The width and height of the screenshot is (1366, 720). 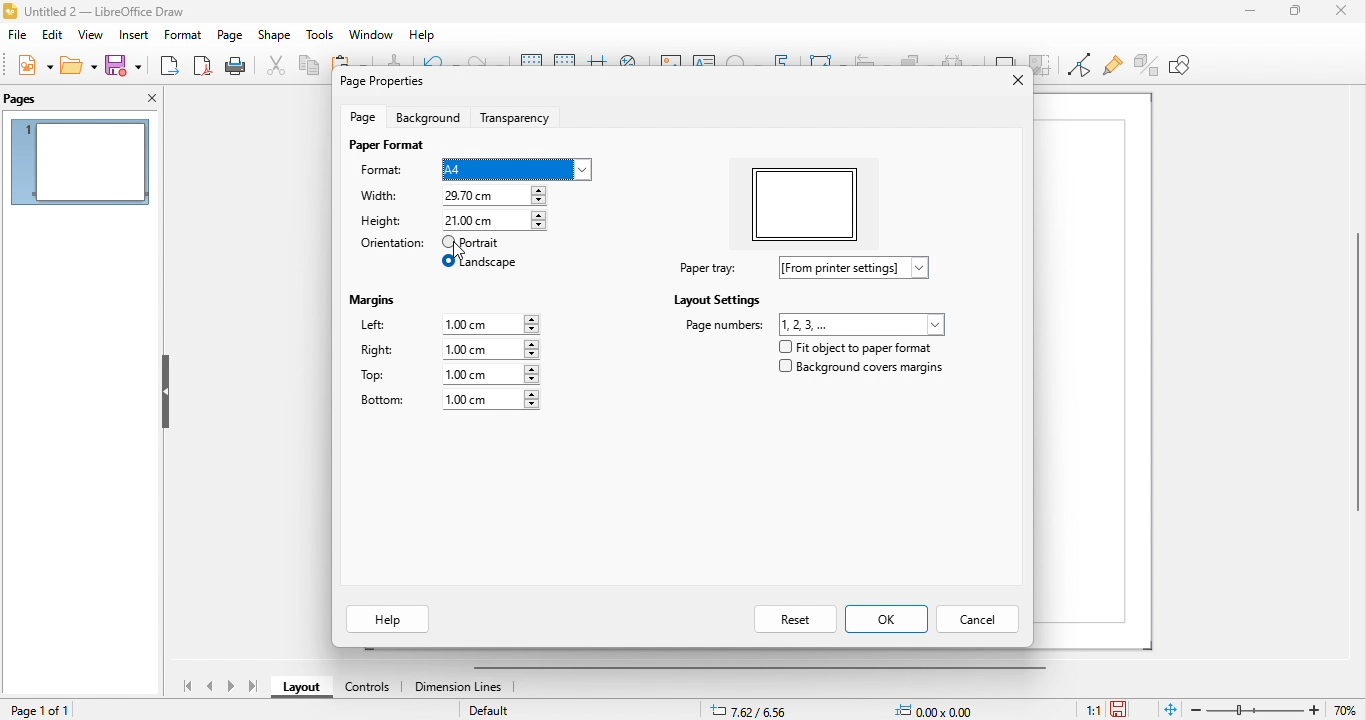 What do you see at coordinates (484, 65) in the screenshot?
I see `redo` at bounding box center [484, 65].